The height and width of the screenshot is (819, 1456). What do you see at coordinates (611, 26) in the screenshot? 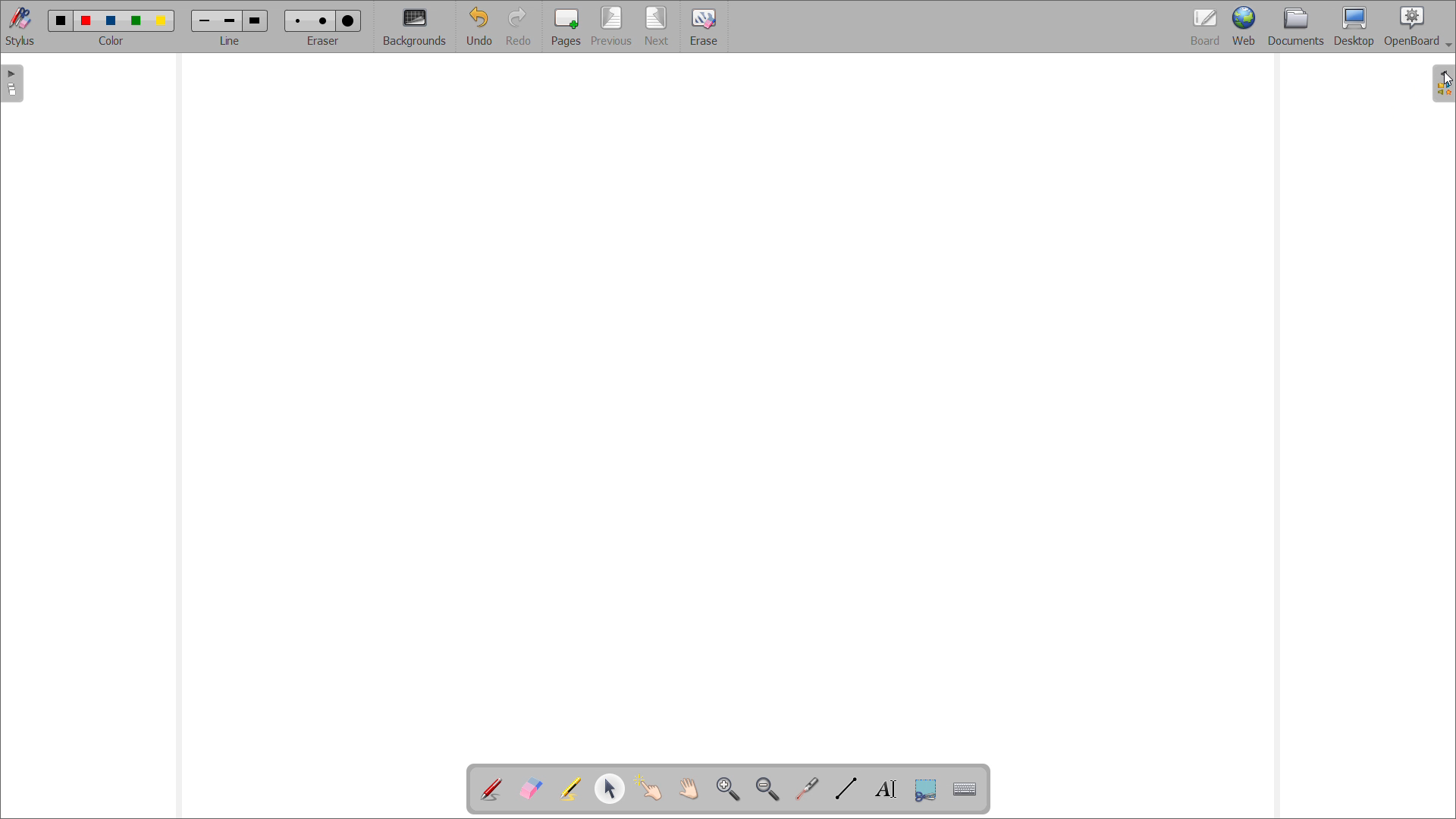
I see `previous page` at bounding box center [611, 26].